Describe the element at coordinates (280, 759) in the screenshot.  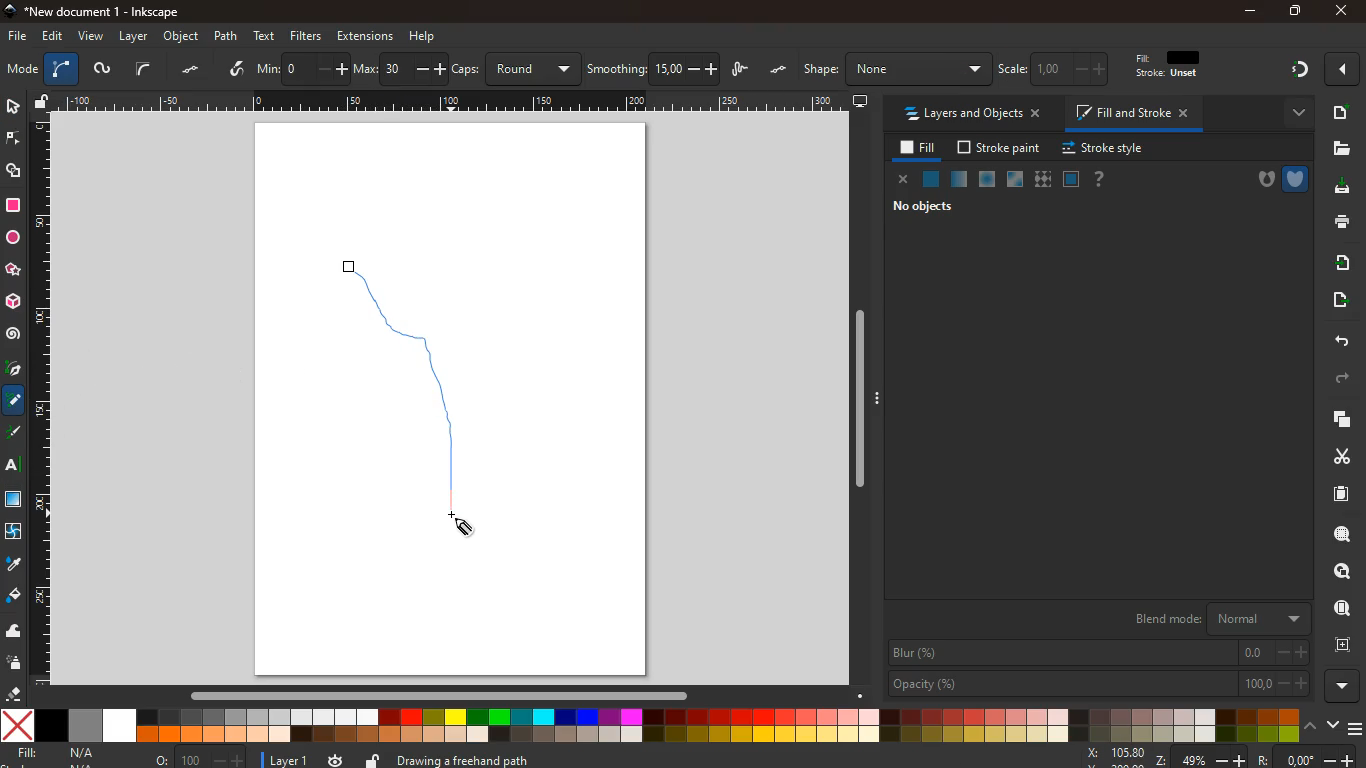
I see `layer` at that location.